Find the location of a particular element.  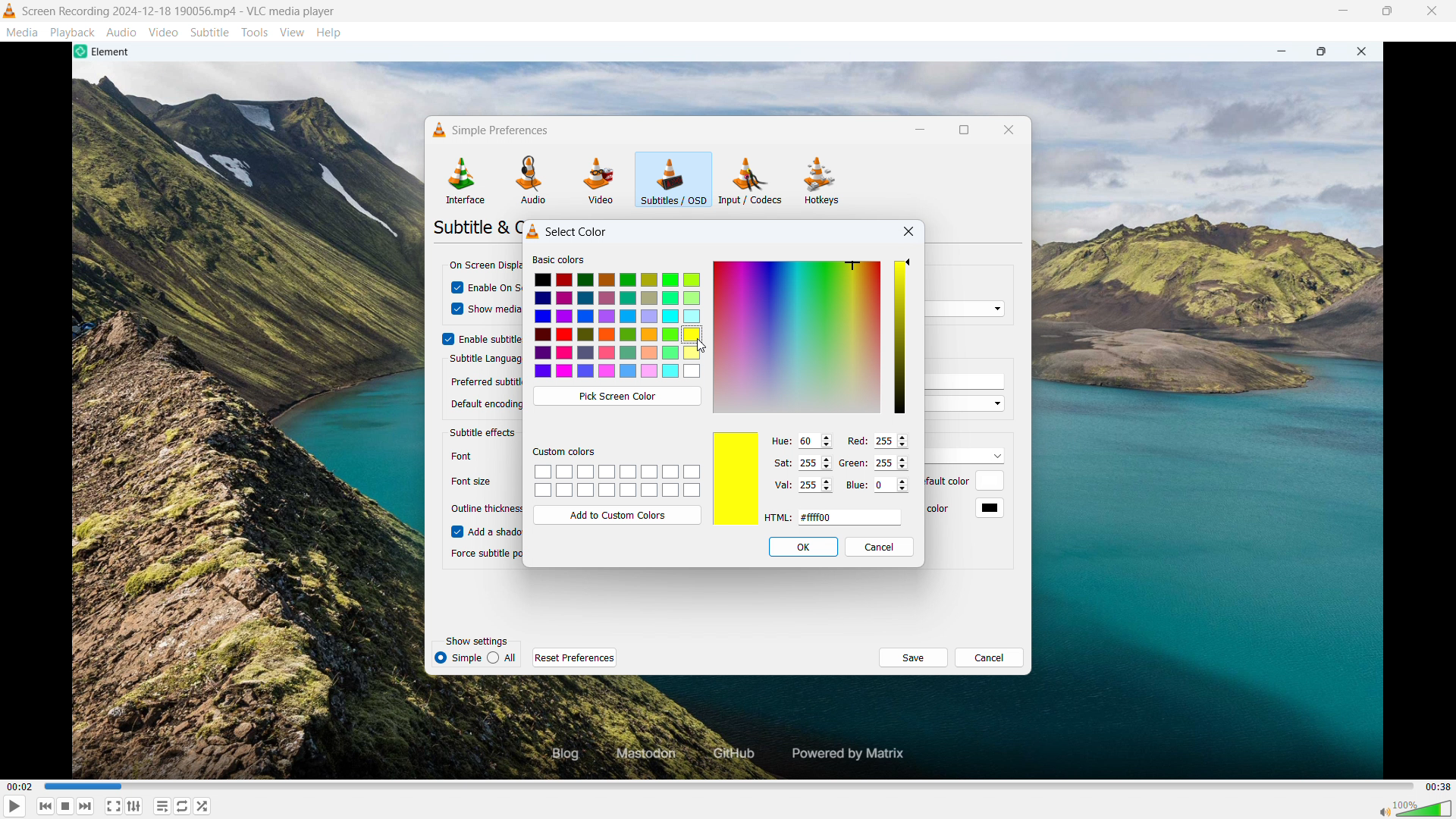

simple  is located at coordinates (457, 658).